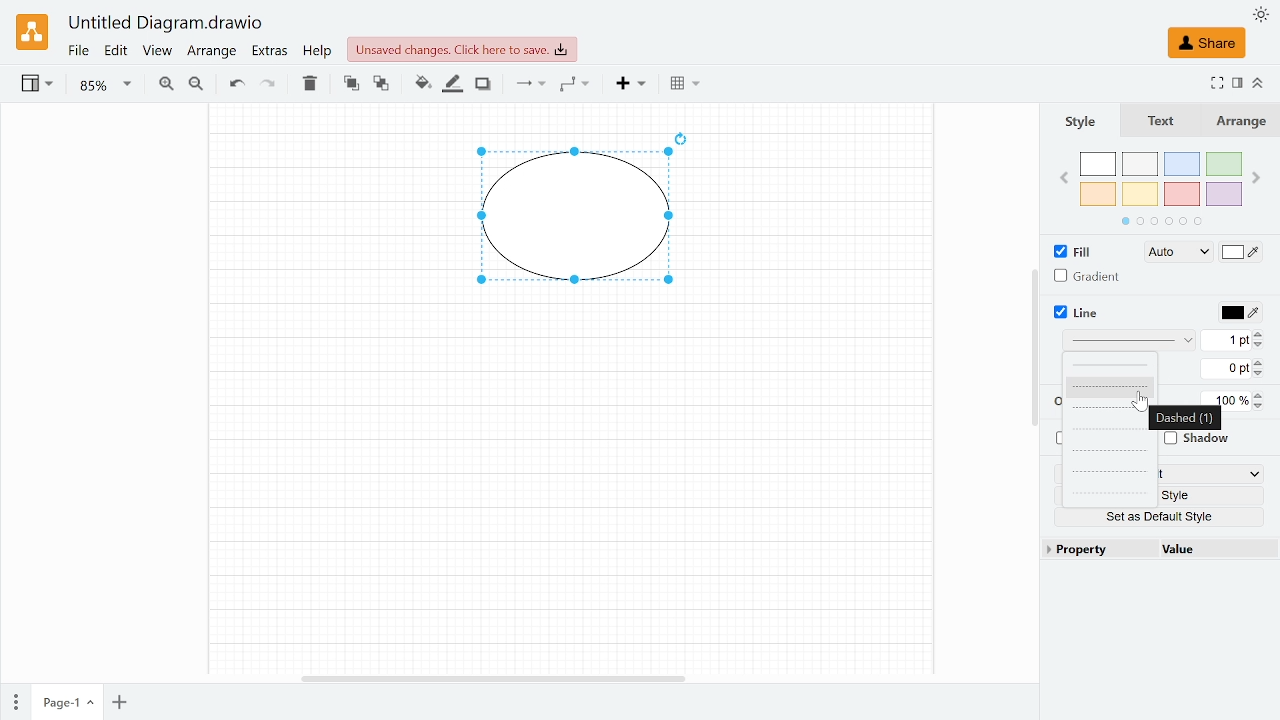 The width and height of the screenshot is (1280, 720). What do you see at coordinates (122, 703) in the screenshot?
I see `Add page` at bounding box center [122, 703].